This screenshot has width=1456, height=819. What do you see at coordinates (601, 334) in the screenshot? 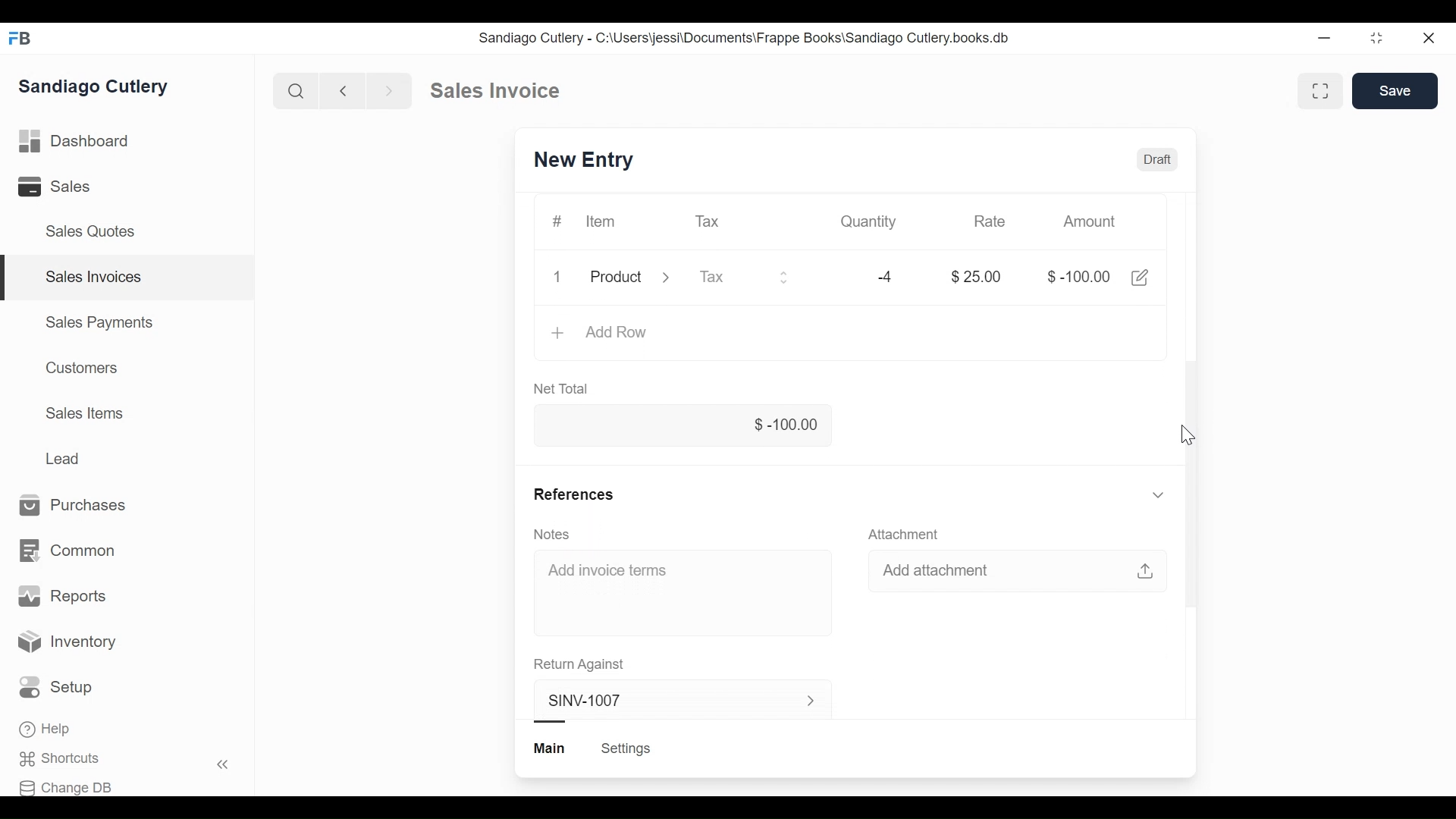
I see `Add Row` at bounding box center [601, 334].